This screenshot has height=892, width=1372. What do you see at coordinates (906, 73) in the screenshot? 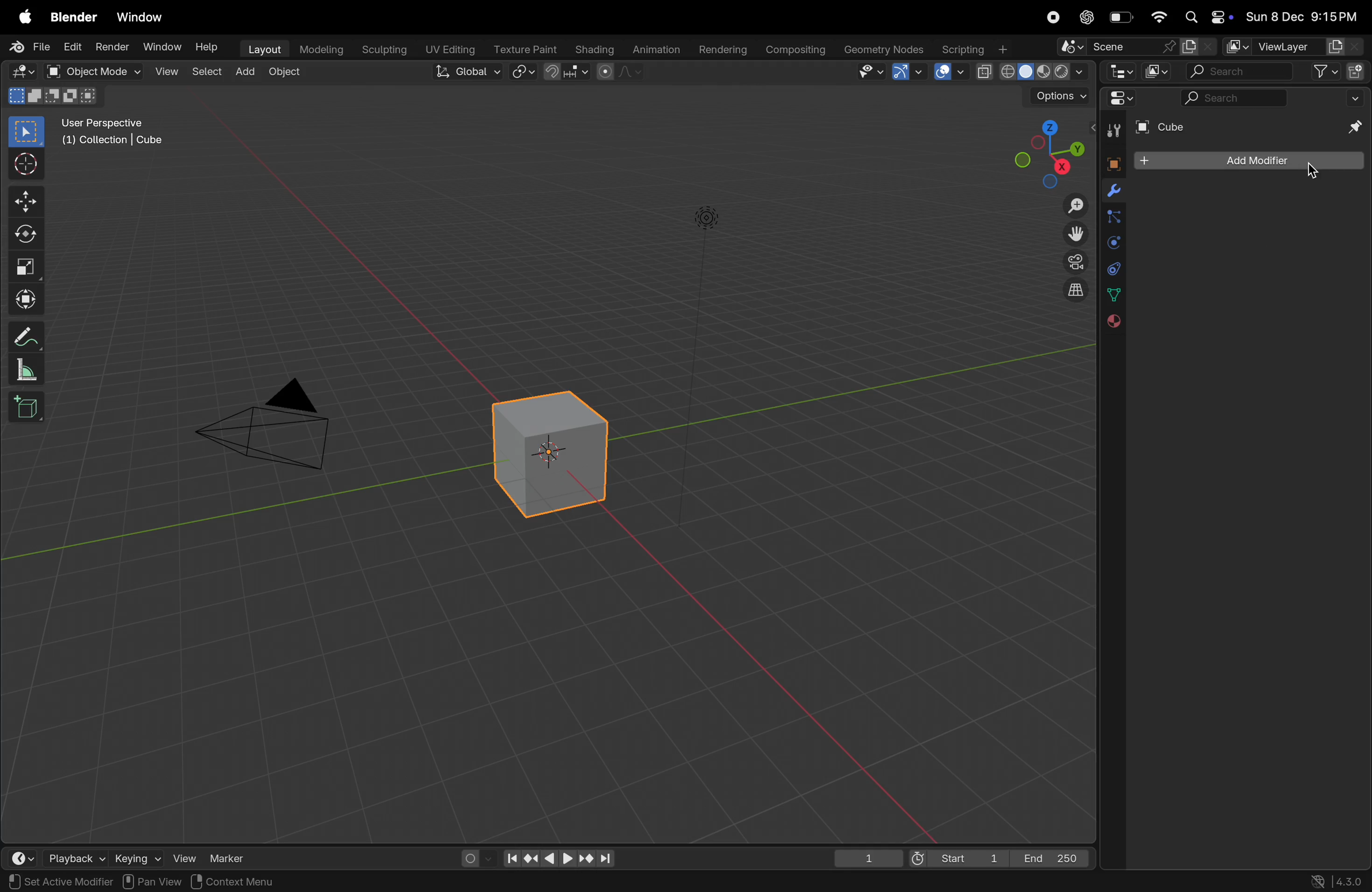
I see `show Gimzo` at bounding box center [906, 73].